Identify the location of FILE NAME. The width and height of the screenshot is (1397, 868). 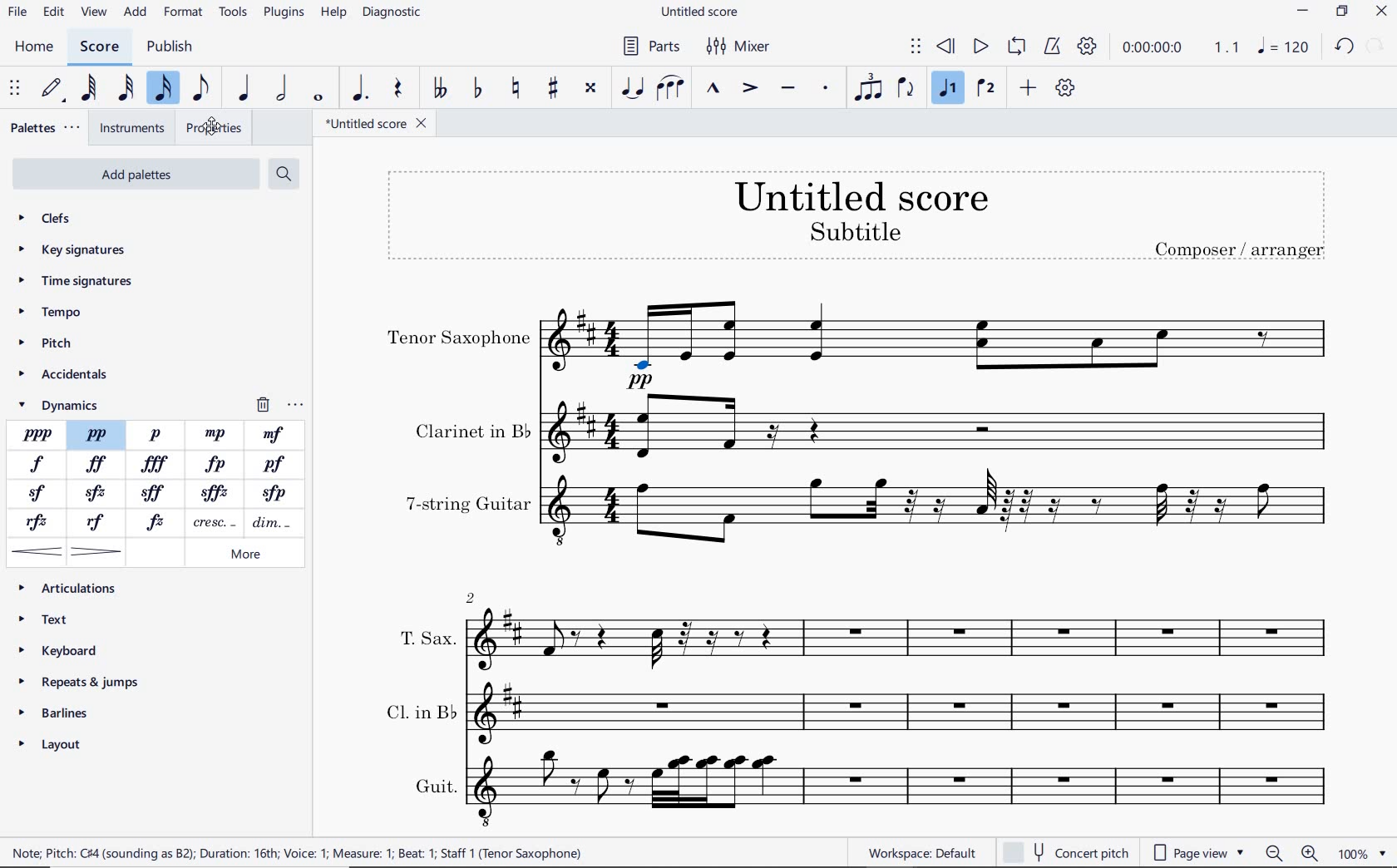
(699, 13).